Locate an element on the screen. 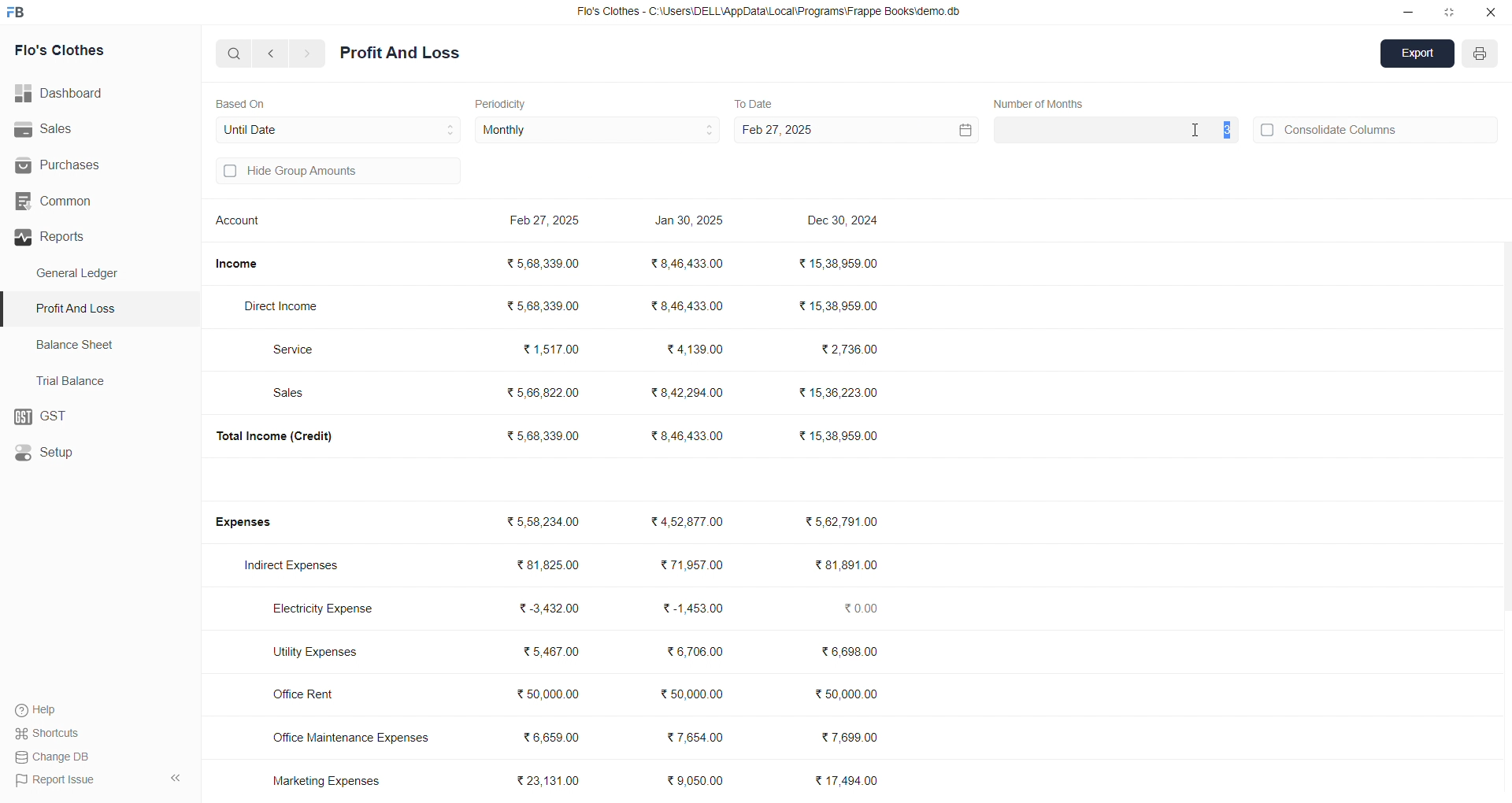  ₹8,46,433.00 is located at coordinates (688, 435).